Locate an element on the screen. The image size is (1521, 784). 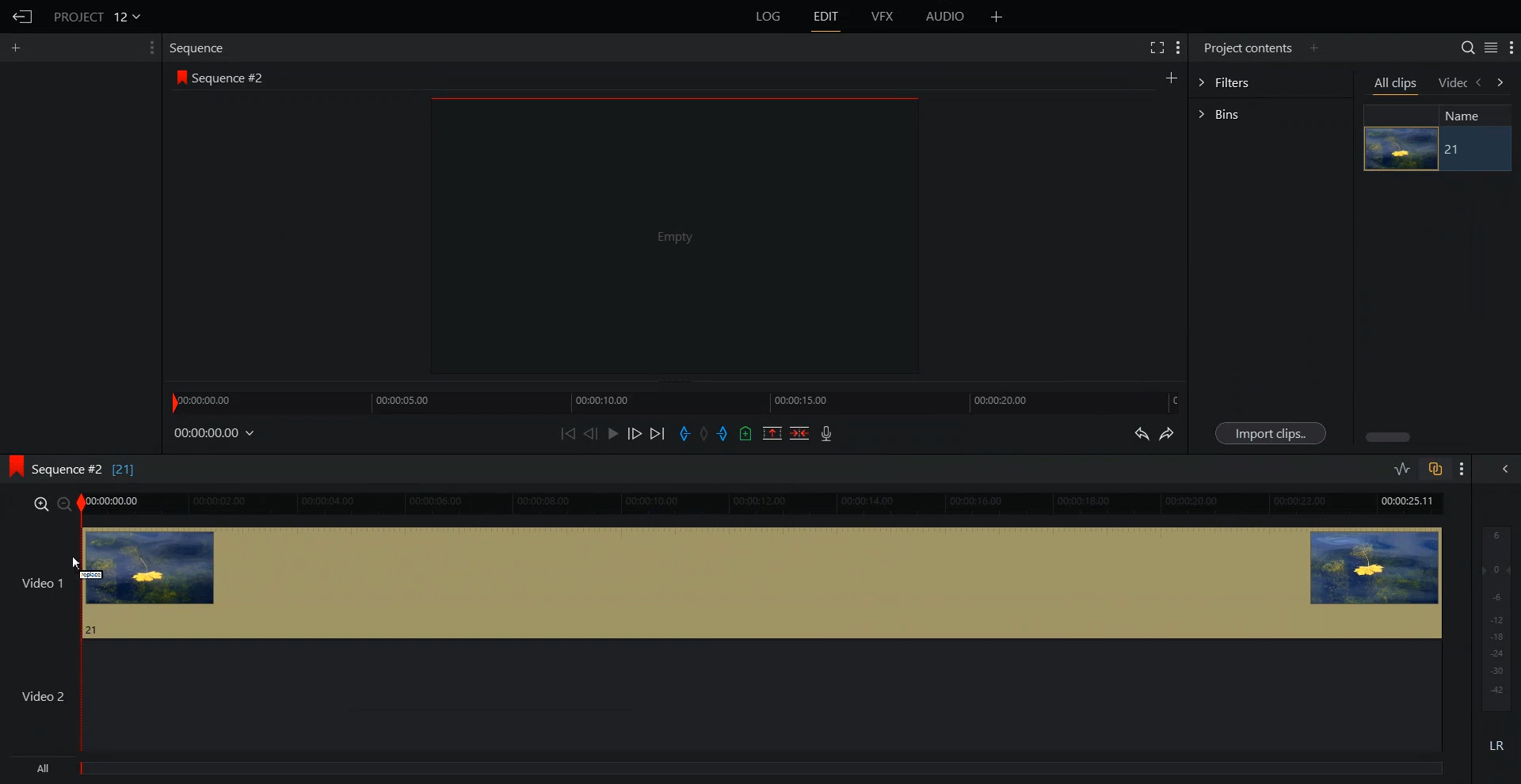
Move Backward is located at coordinates (568, 432).